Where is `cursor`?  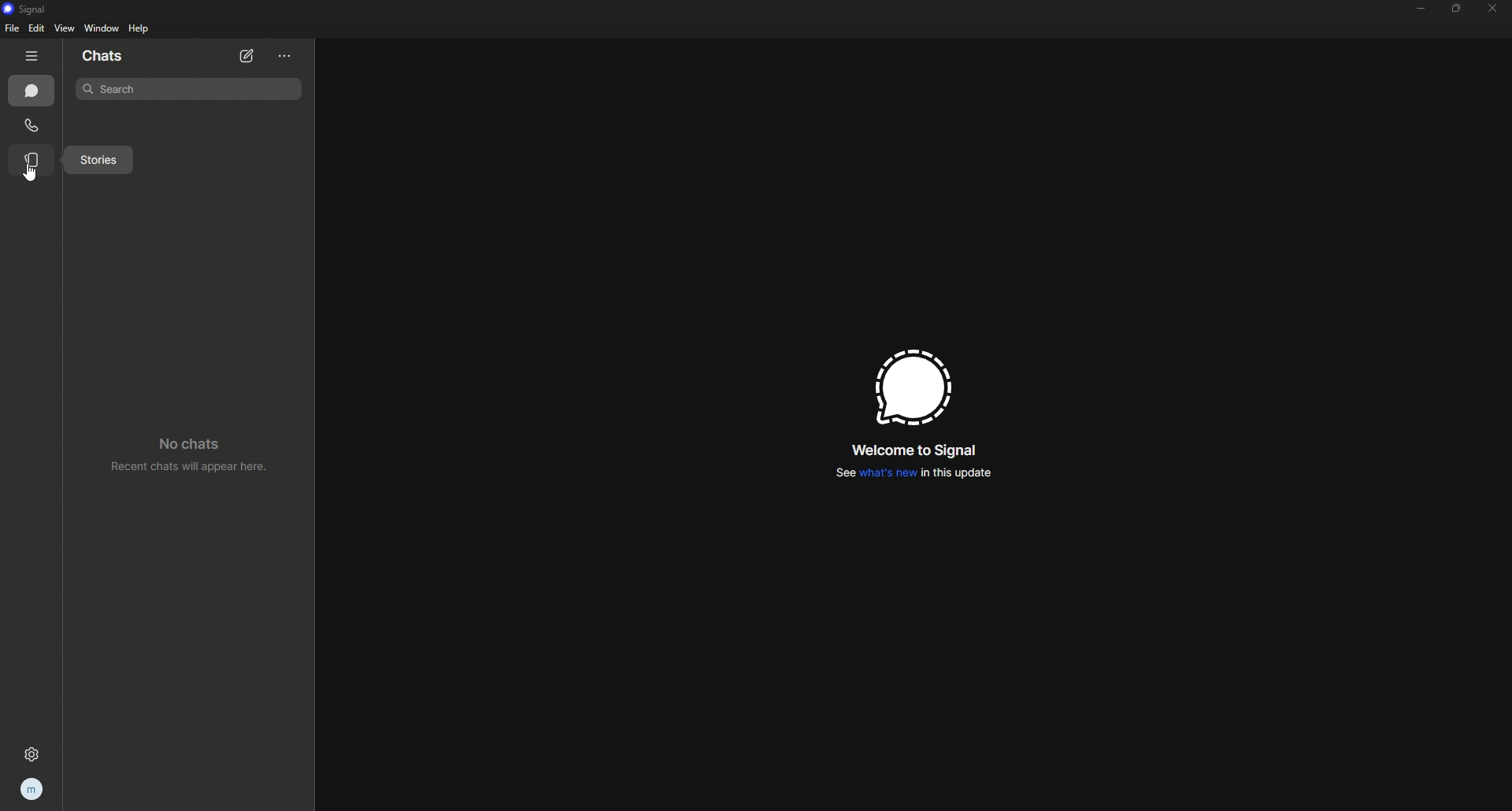
cursor is located at coordinates (31, 172).